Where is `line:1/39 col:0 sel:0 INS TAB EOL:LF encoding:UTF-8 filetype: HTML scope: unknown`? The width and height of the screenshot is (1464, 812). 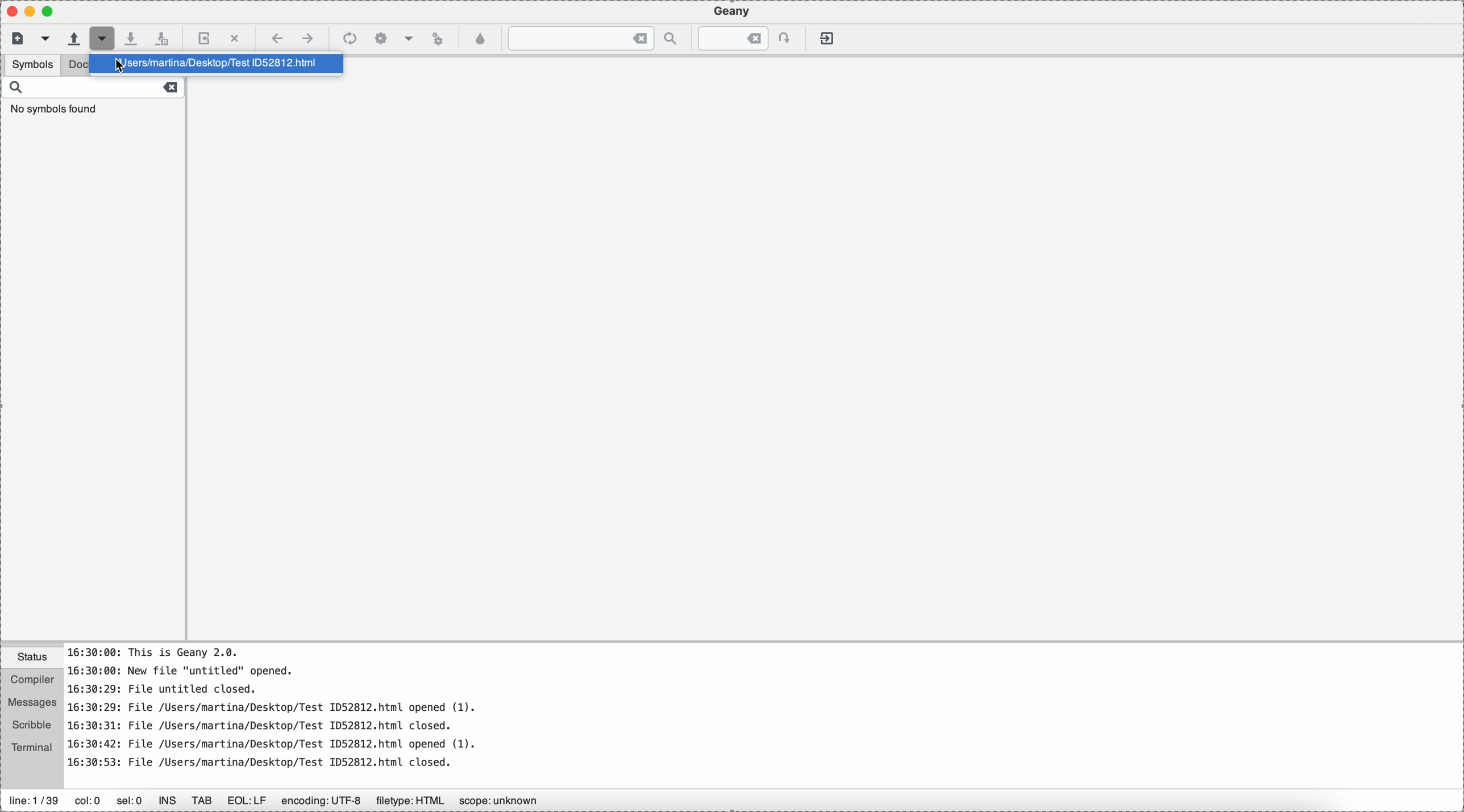
line:1/39 col:0 sel:0 INS TAB EOL:LF encoding:UTF-8 filetype: HTML scope: unknown is located at coordinates (289, 797).